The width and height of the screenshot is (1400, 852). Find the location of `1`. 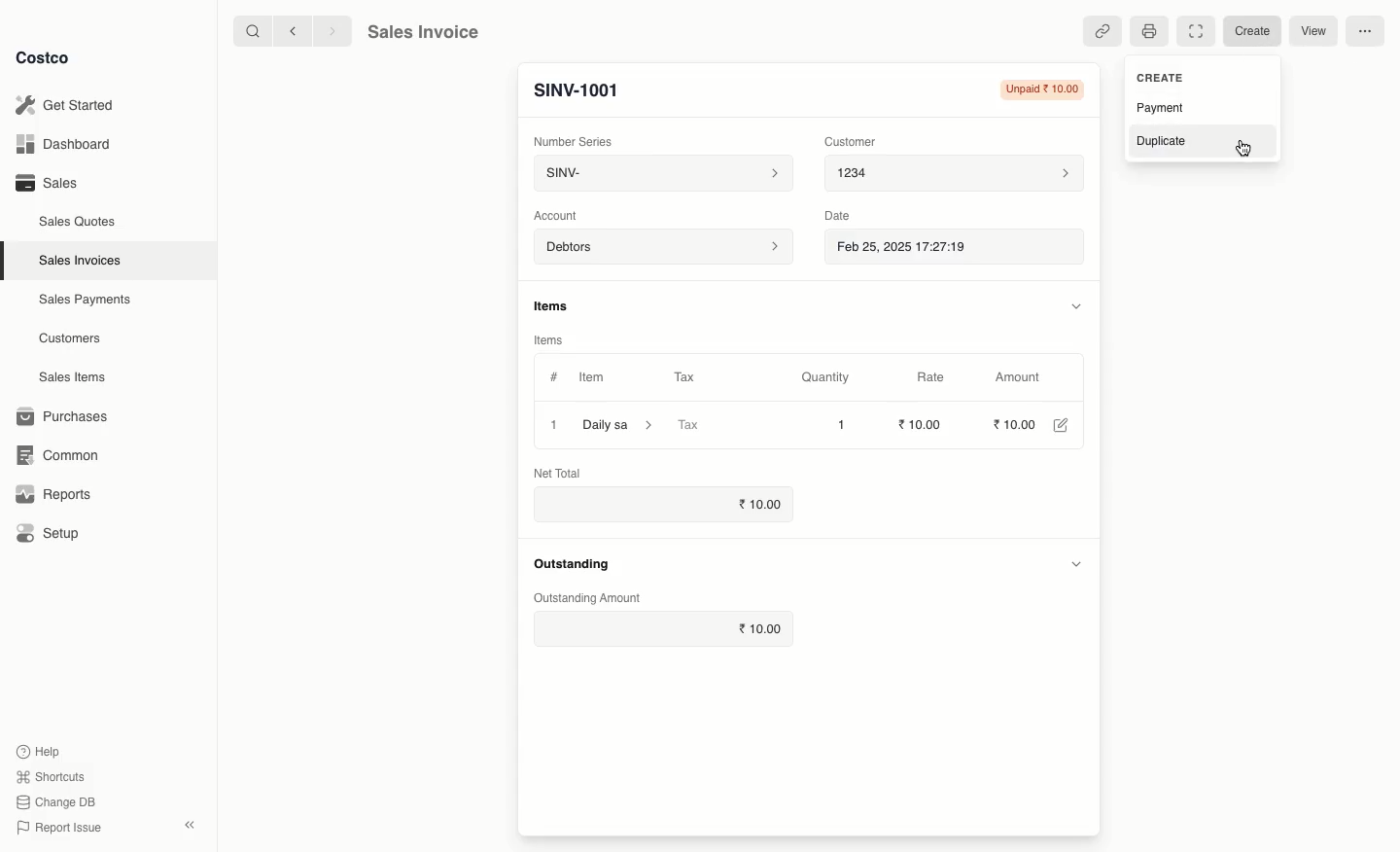

1 is located at coordinates (843, 425).